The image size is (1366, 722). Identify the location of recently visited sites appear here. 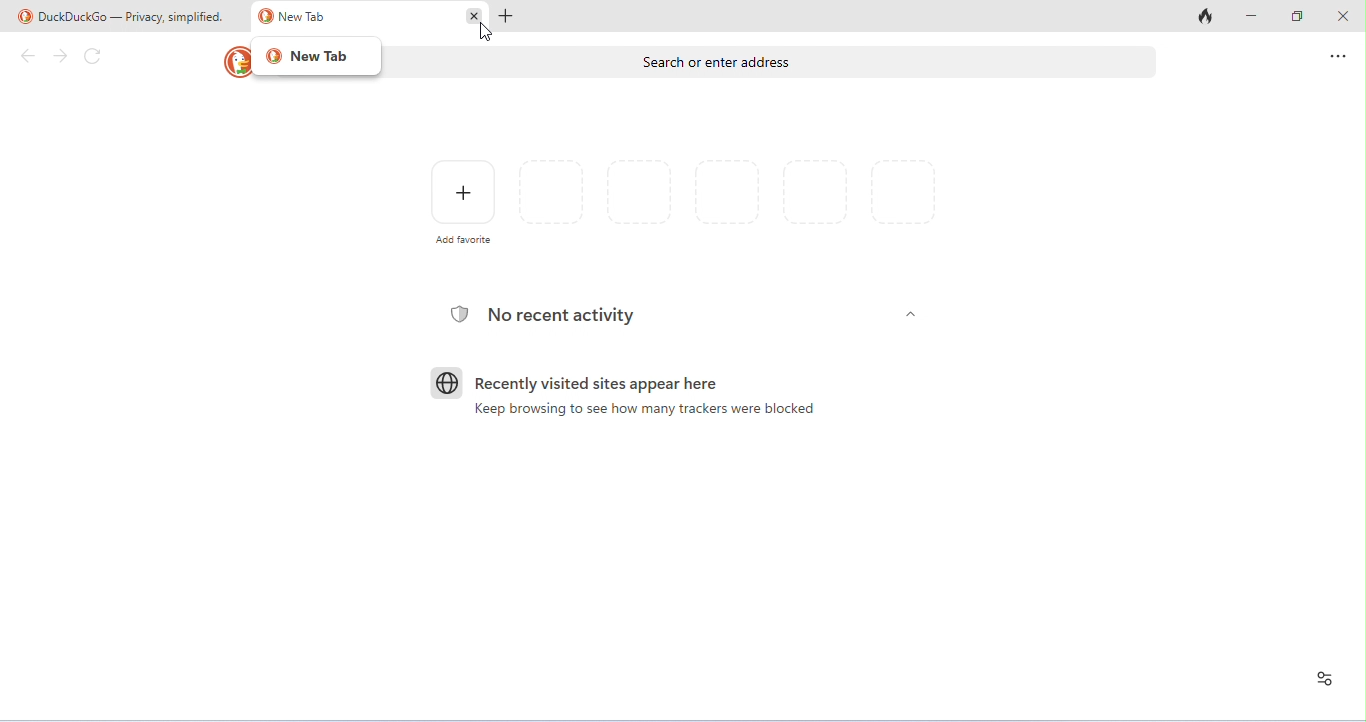
(575, 381).